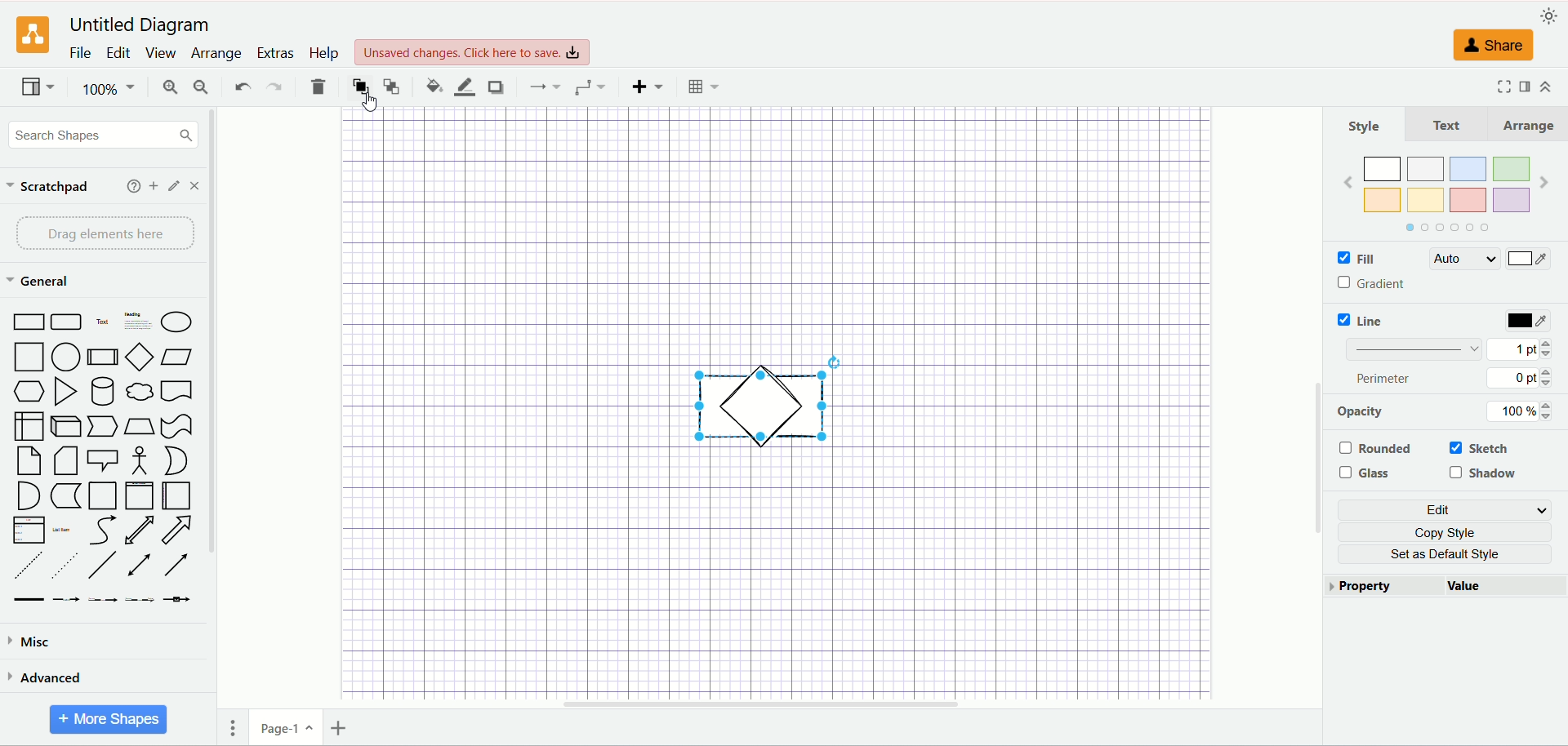  What do you see at coordinates (24, 461) in the screenshot?
I see `Note` at bounding box center [24, 461].